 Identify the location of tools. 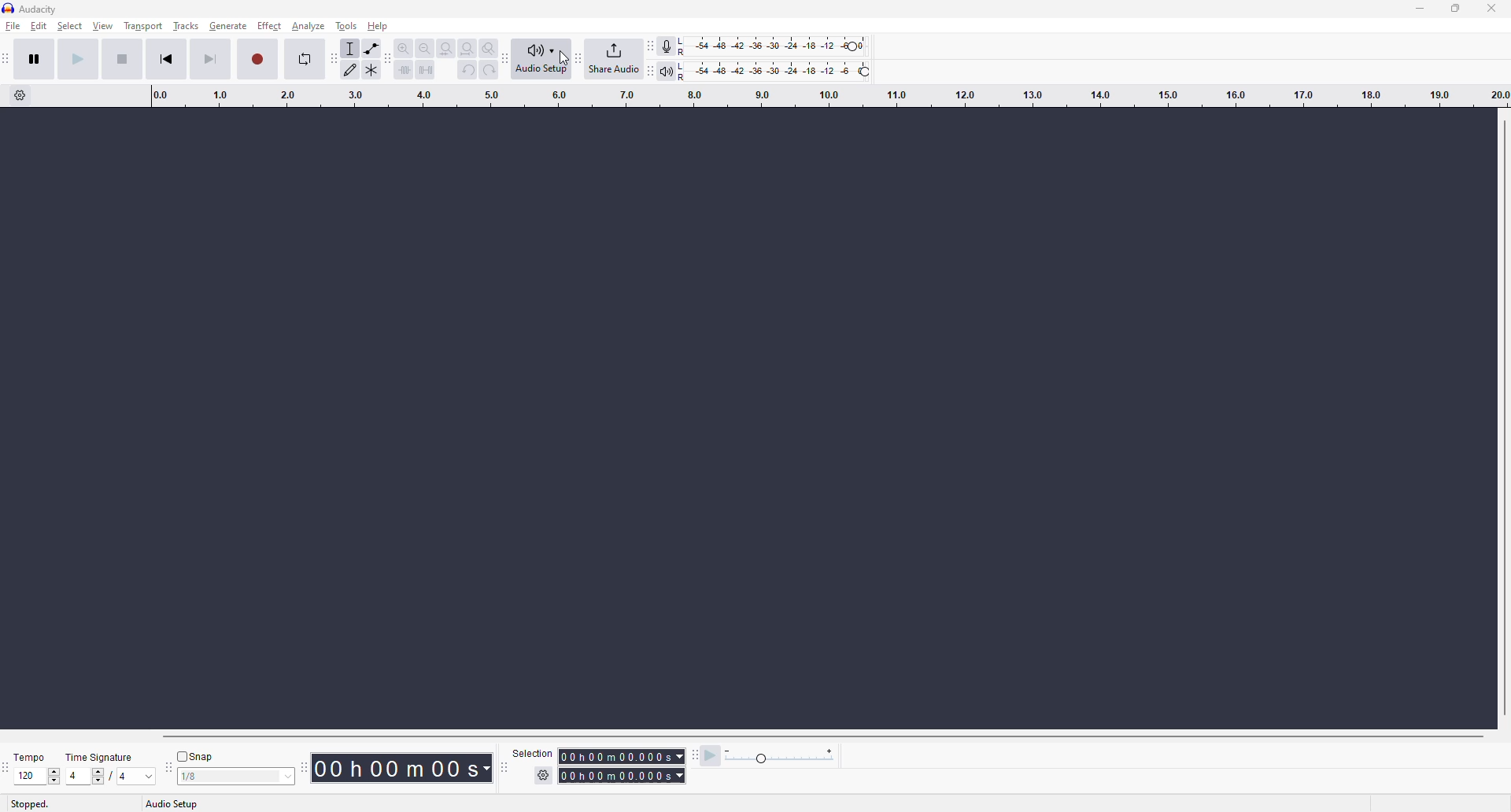
(340, 24).